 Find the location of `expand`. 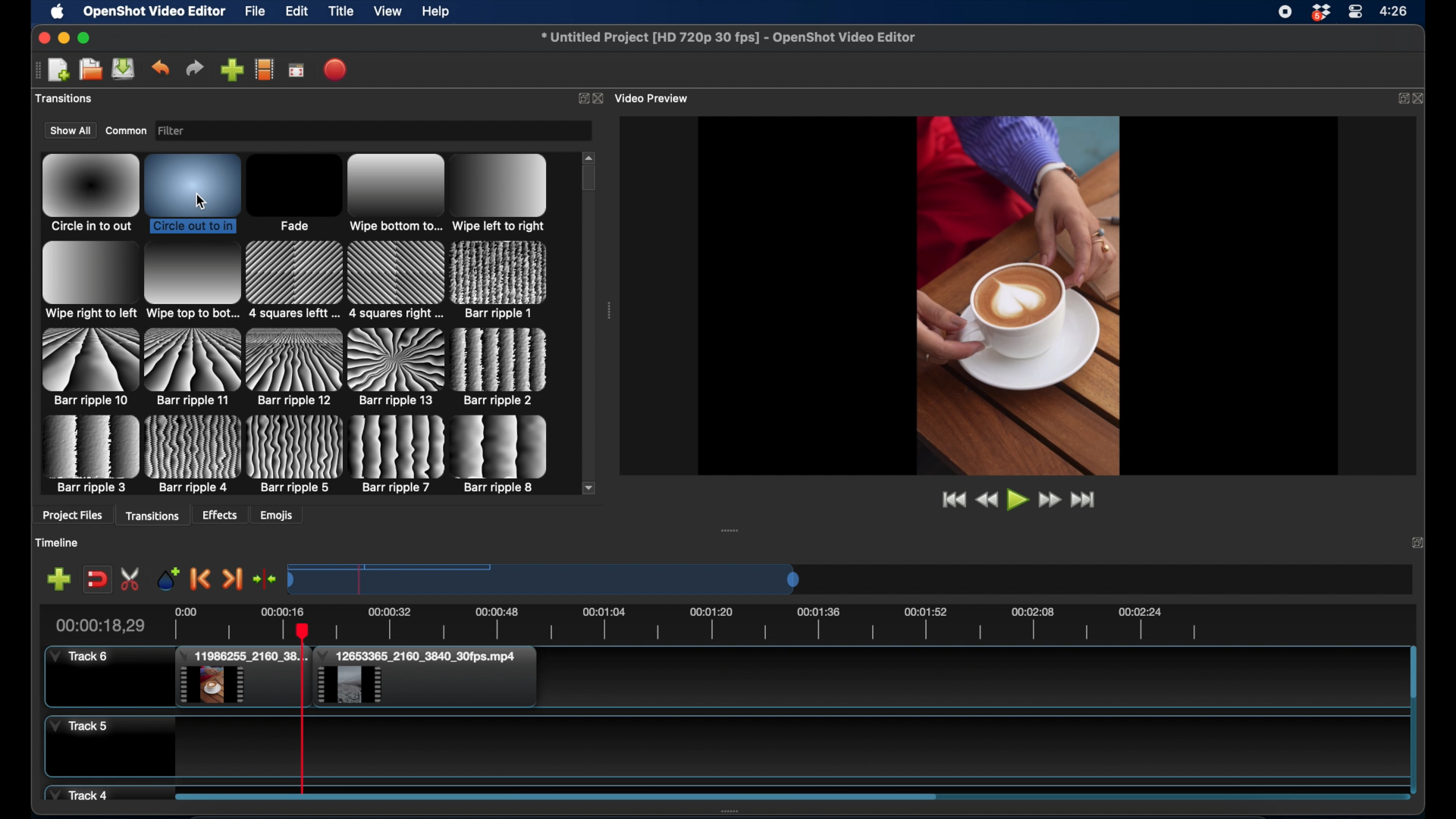

expand is located at coordinates (1399, 98).